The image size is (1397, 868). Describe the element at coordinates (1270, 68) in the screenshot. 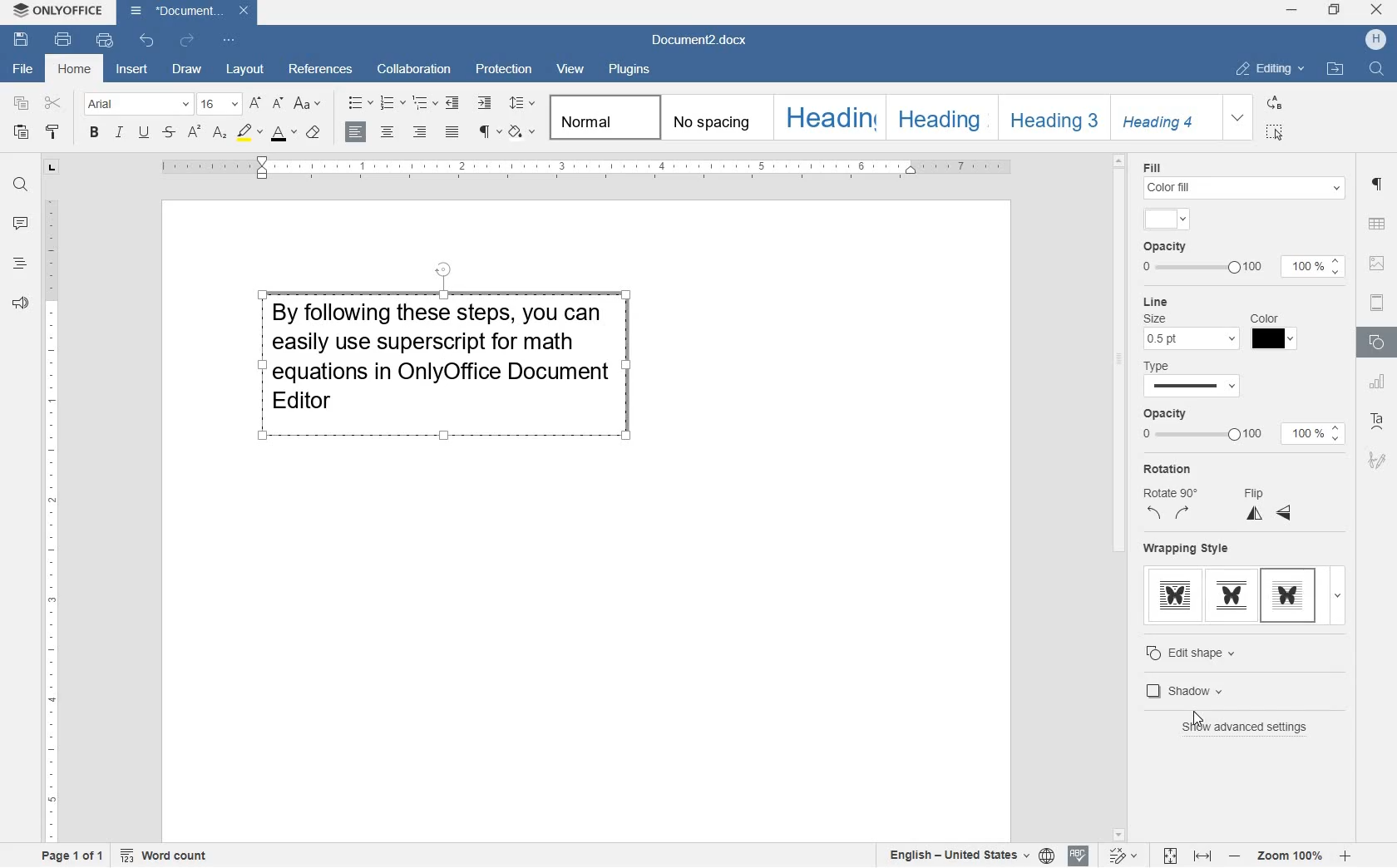

I see `EDITING` at that location.